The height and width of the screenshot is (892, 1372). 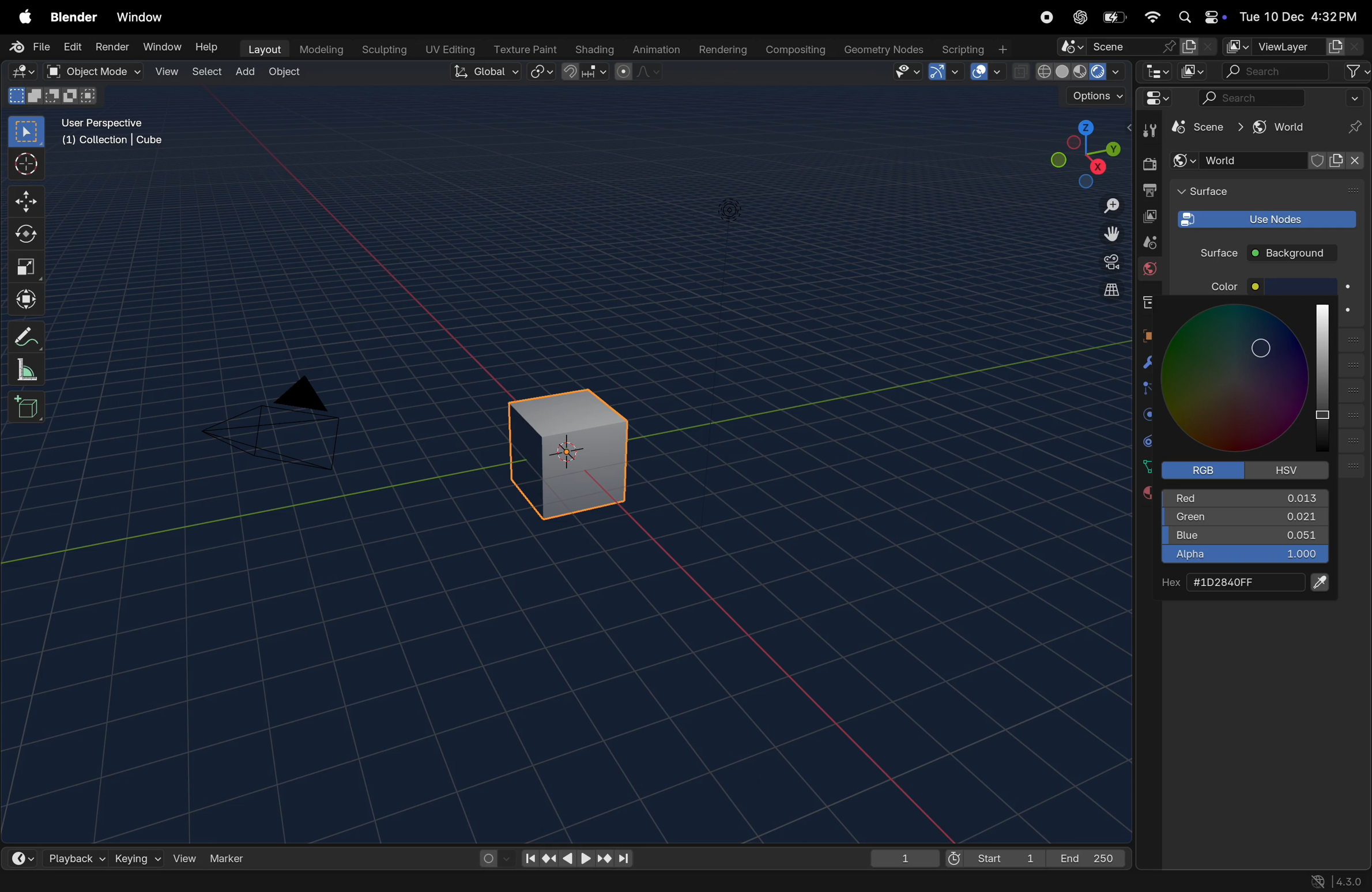 What do you see at coordinates (1269, 161) in the screenshot?
I see `add objects and constraints` at bounding box center [1269, 161].